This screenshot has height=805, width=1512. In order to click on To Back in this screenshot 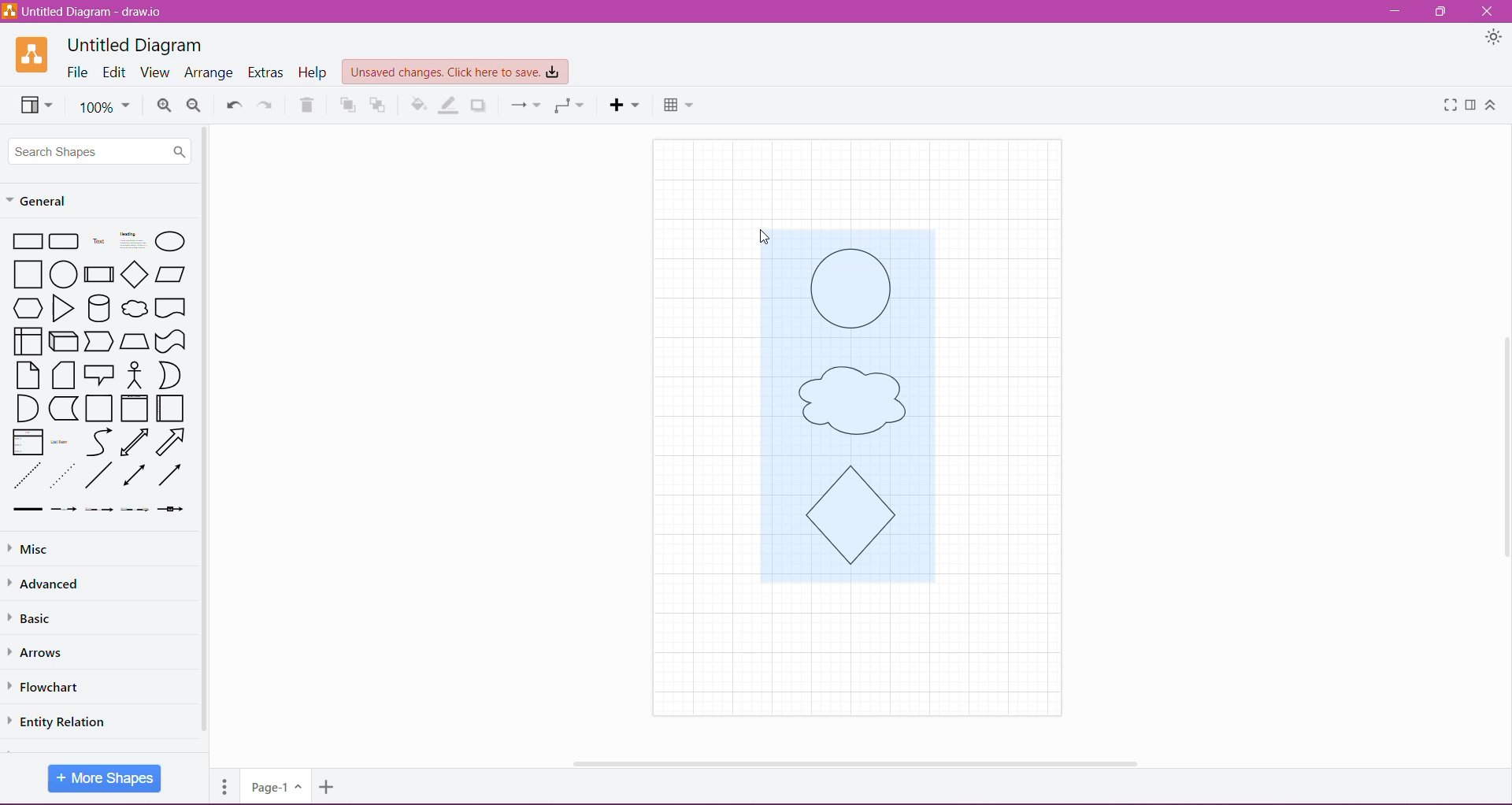, I will do `click(380, 105)`.